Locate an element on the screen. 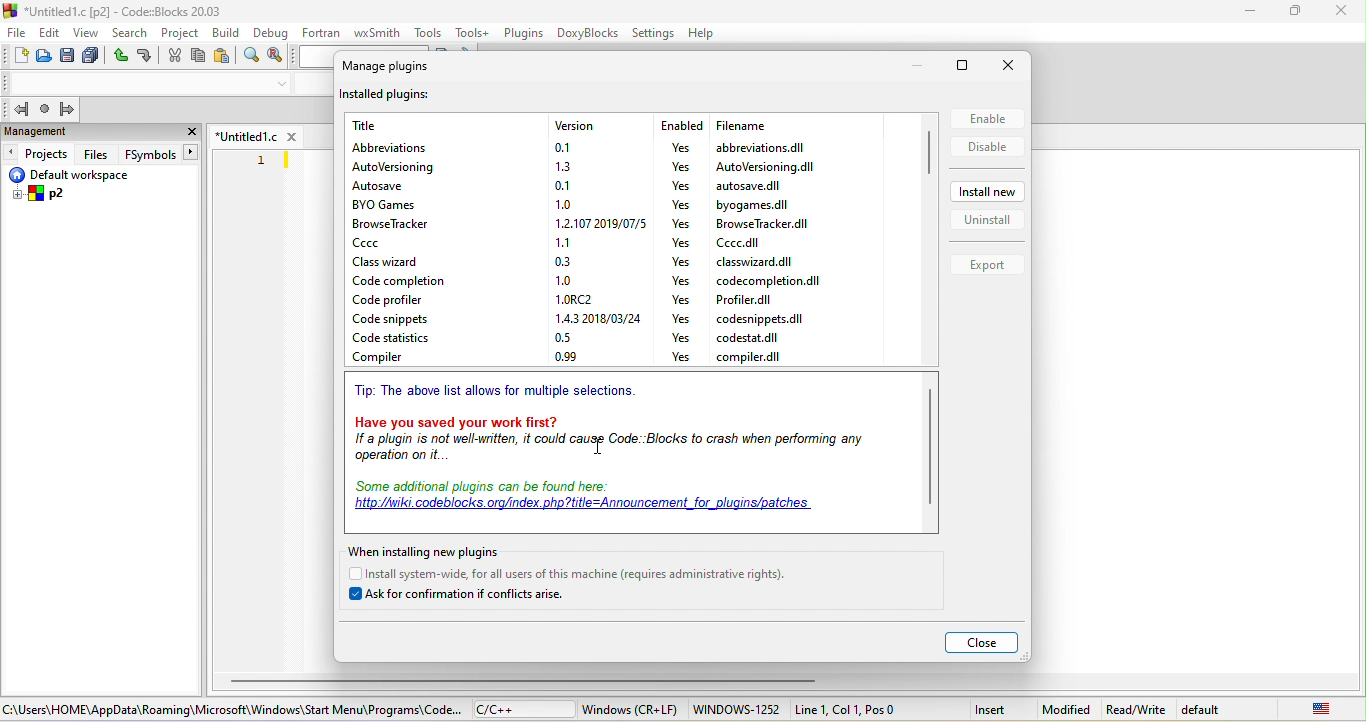  modified is located at coordinates (1065, 710).